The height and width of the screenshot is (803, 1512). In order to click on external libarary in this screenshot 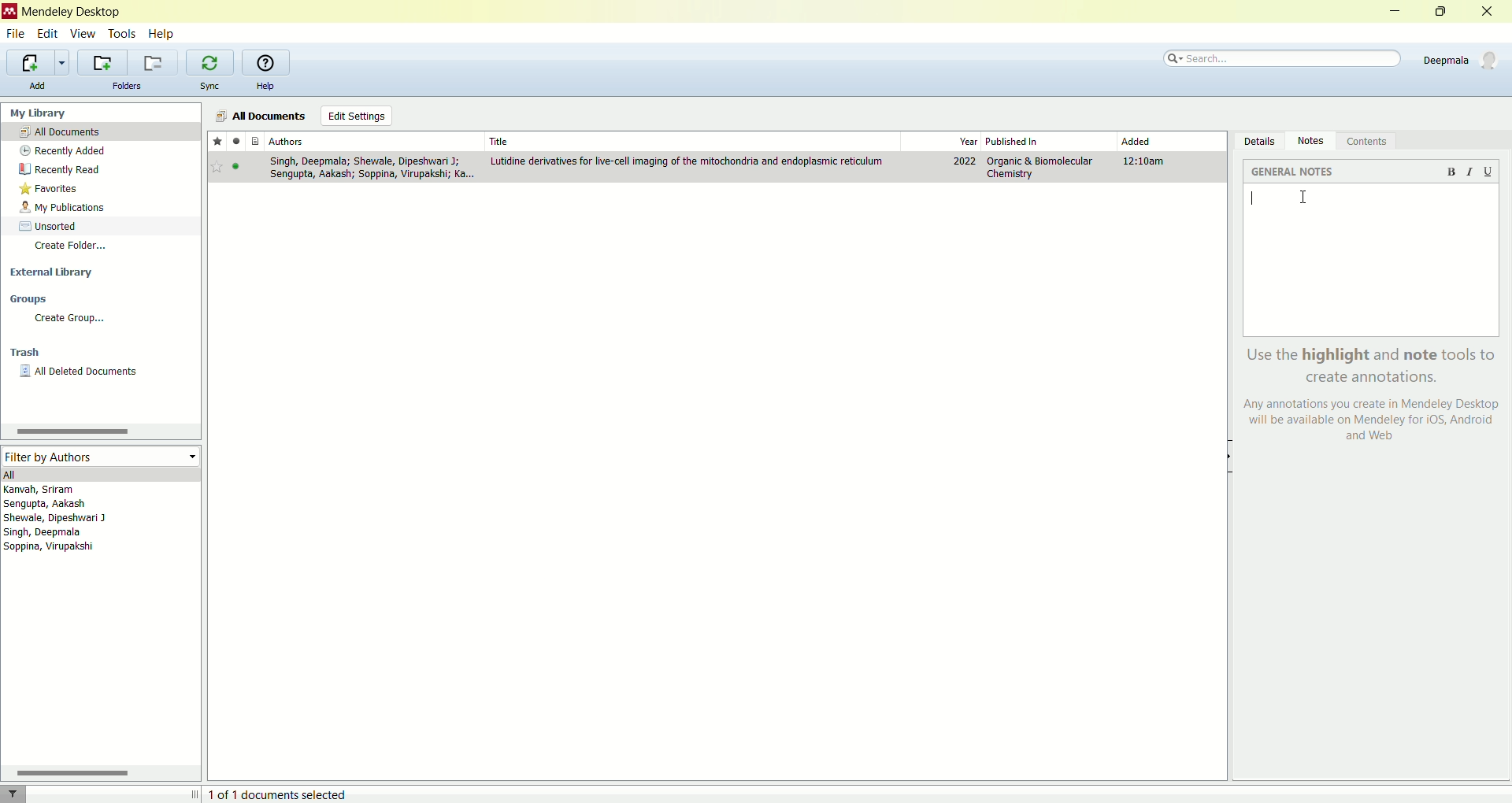, I will do `click(101, 270)`.